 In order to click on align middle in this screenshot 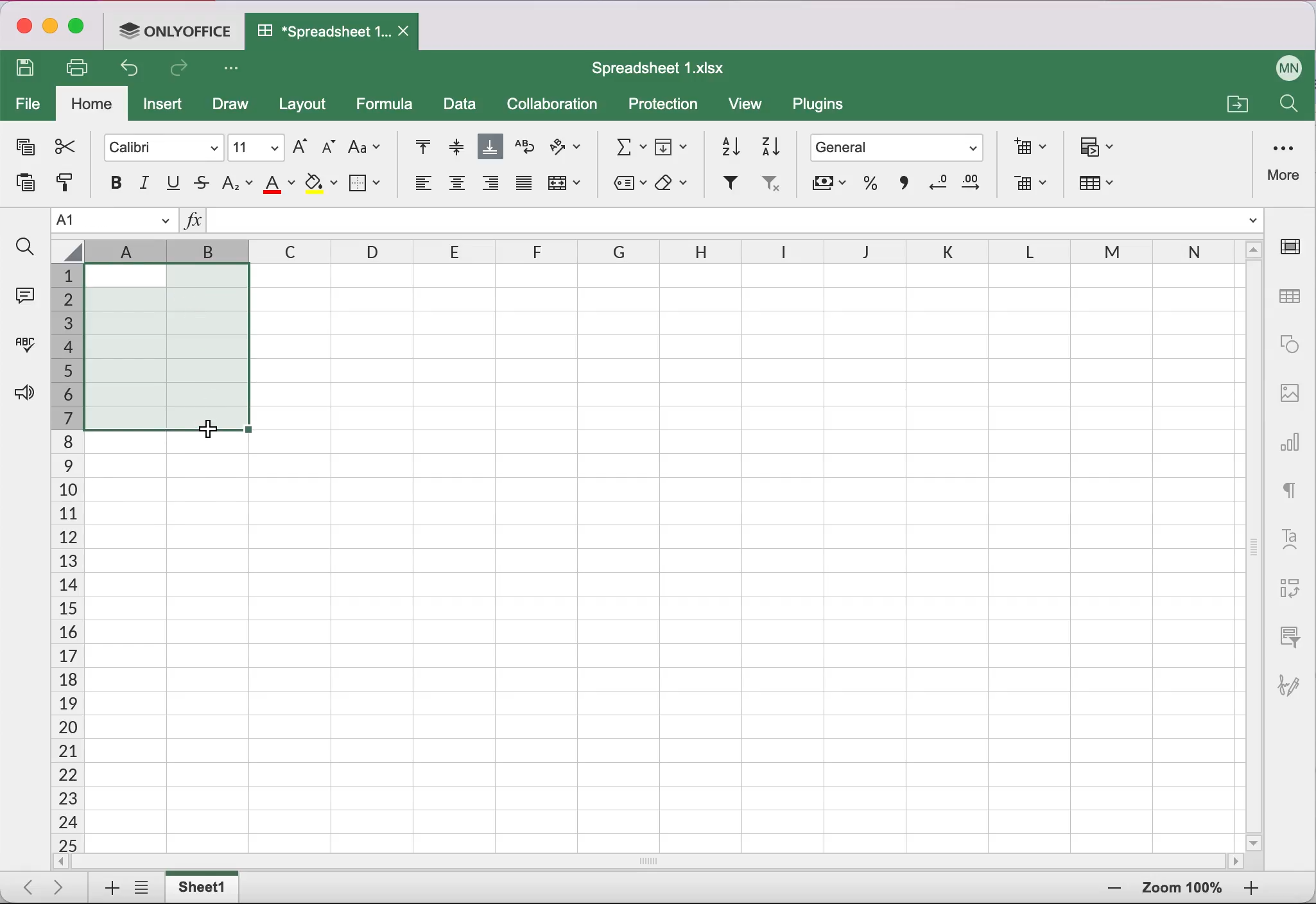, I will do `click(454, 146)`.